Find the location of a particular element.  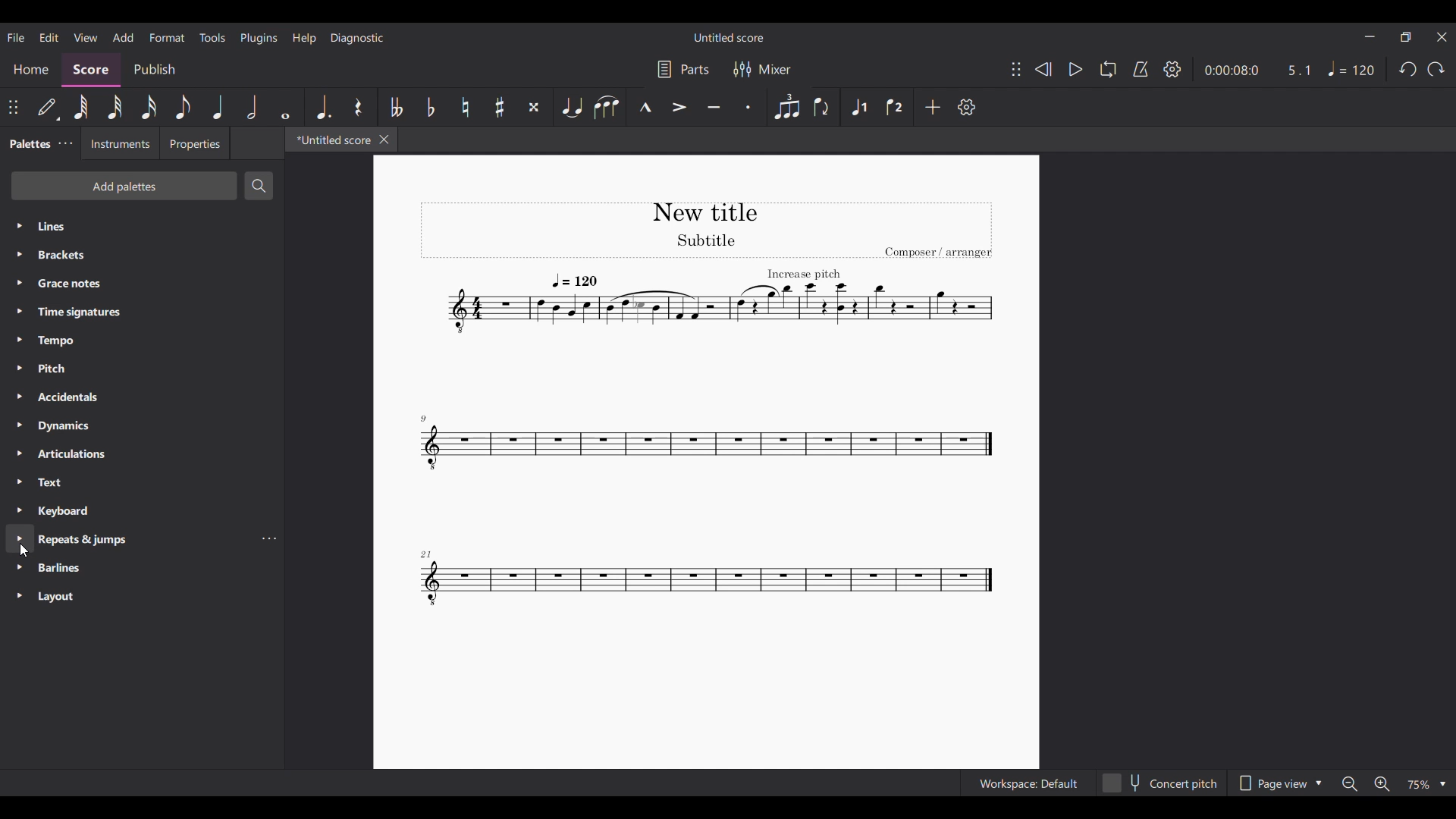

Voice 1 is located at coordinates (858, 107).